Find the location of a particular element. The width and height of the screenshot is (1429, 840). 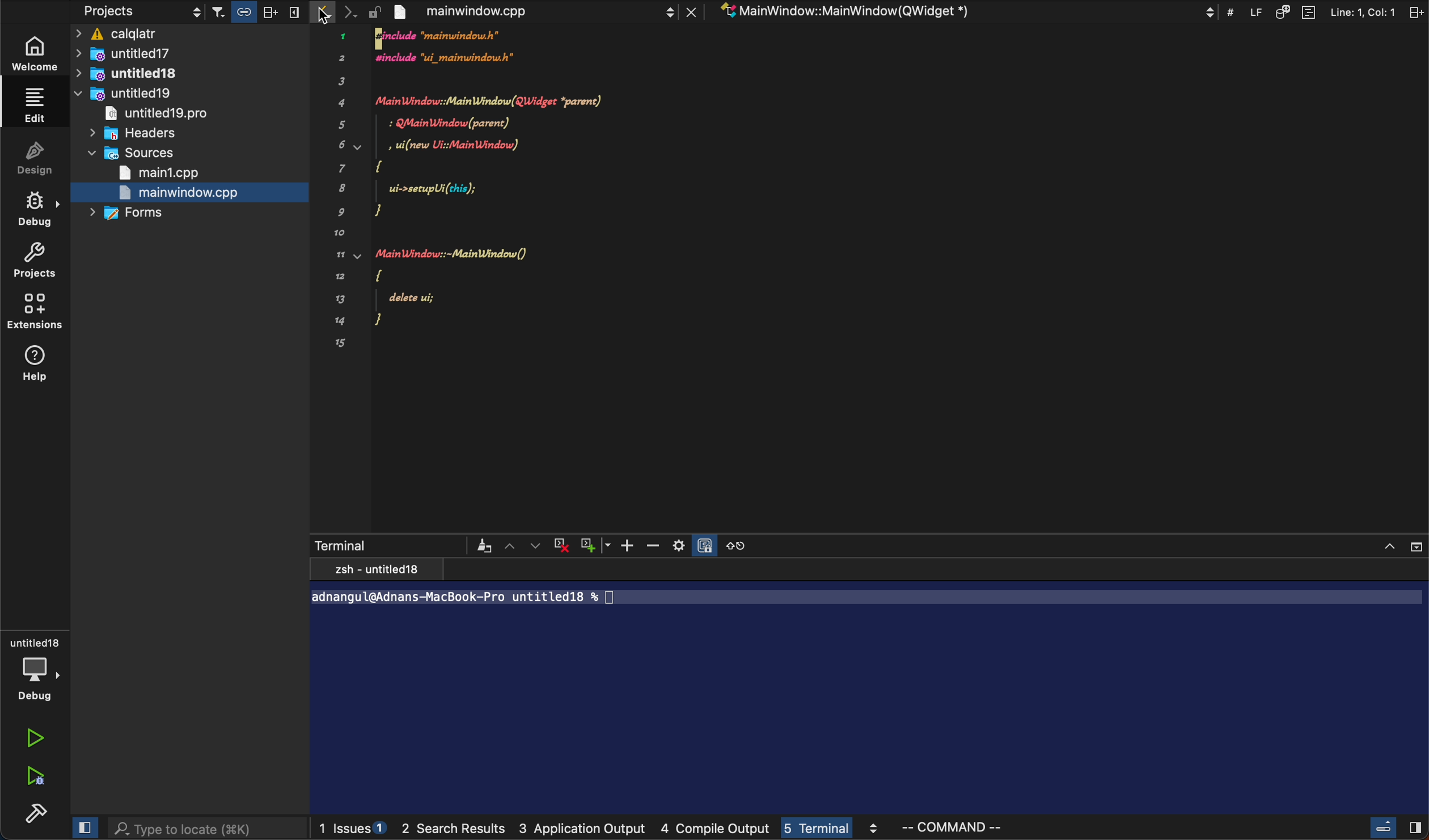

welcome is located at coordinates (36, 57).